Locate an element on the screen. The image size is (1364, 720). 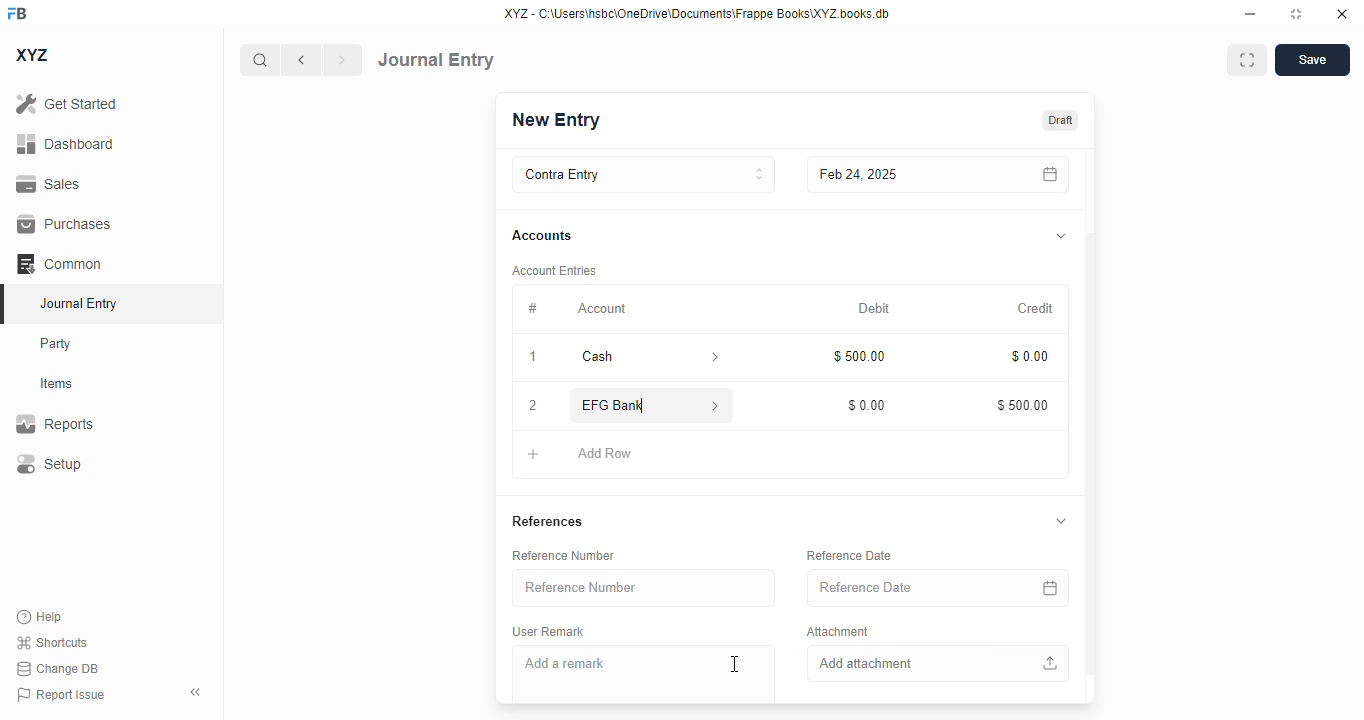
toggle sidebar is located at coordinates (197, 692).